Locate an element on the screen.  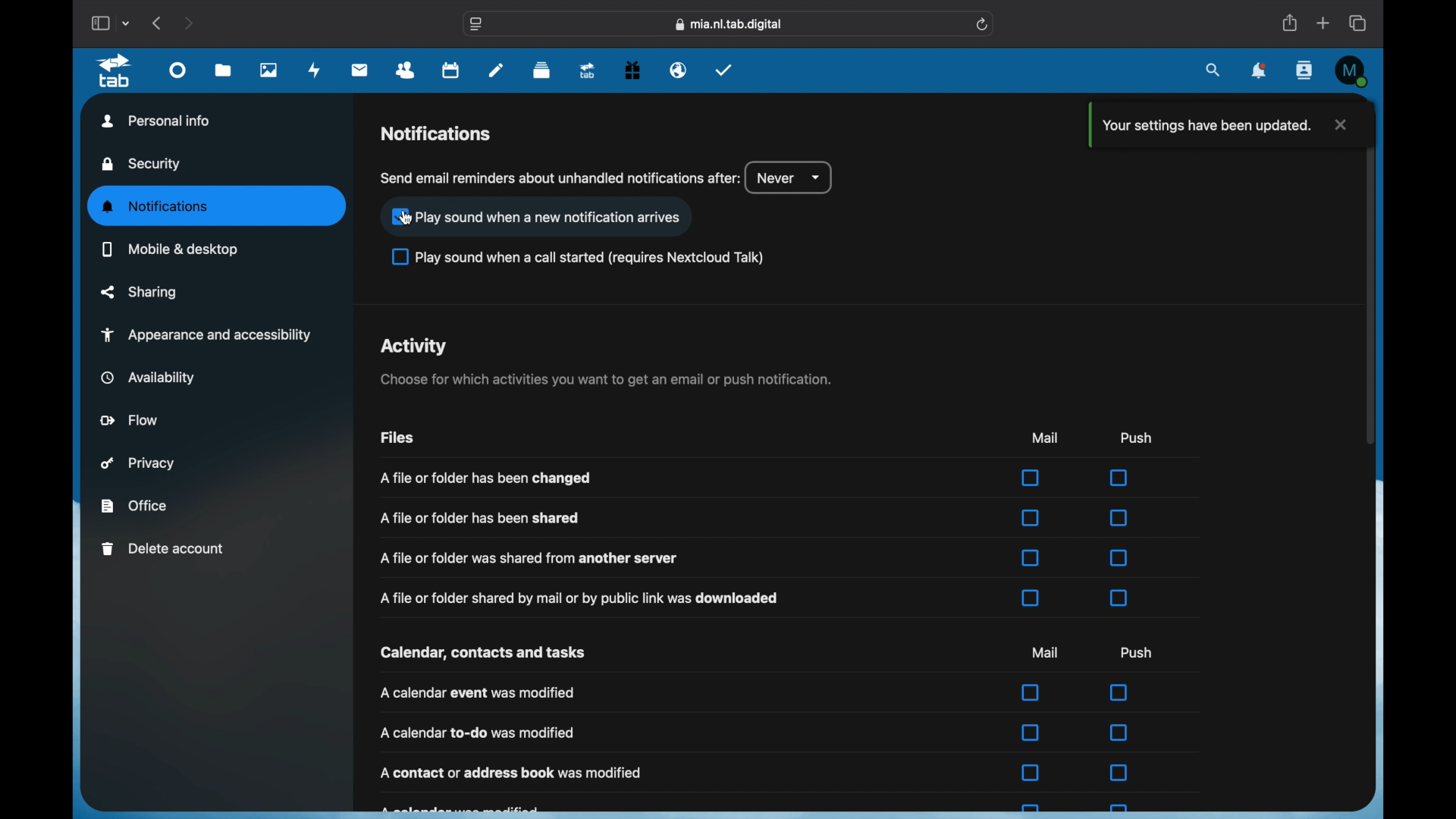
checkbox is located at coordinates (1030, 731).